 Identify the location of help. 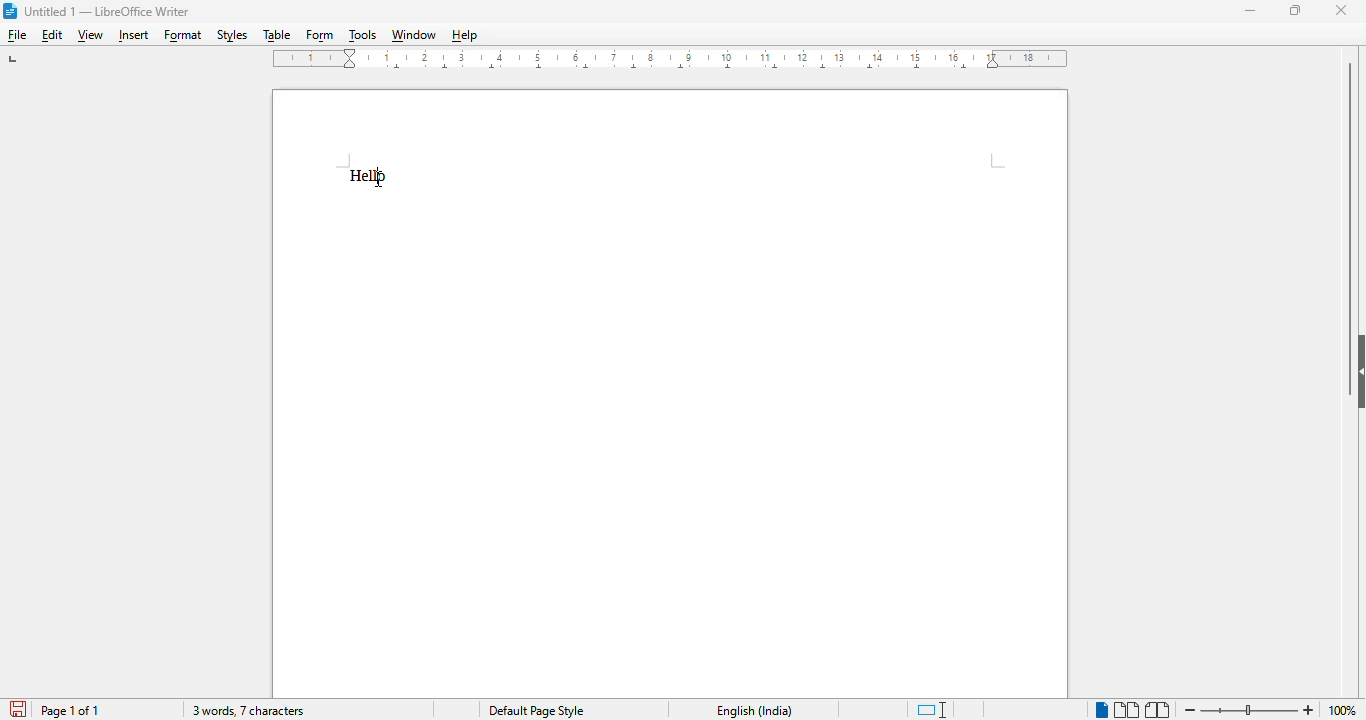
(464, 35).